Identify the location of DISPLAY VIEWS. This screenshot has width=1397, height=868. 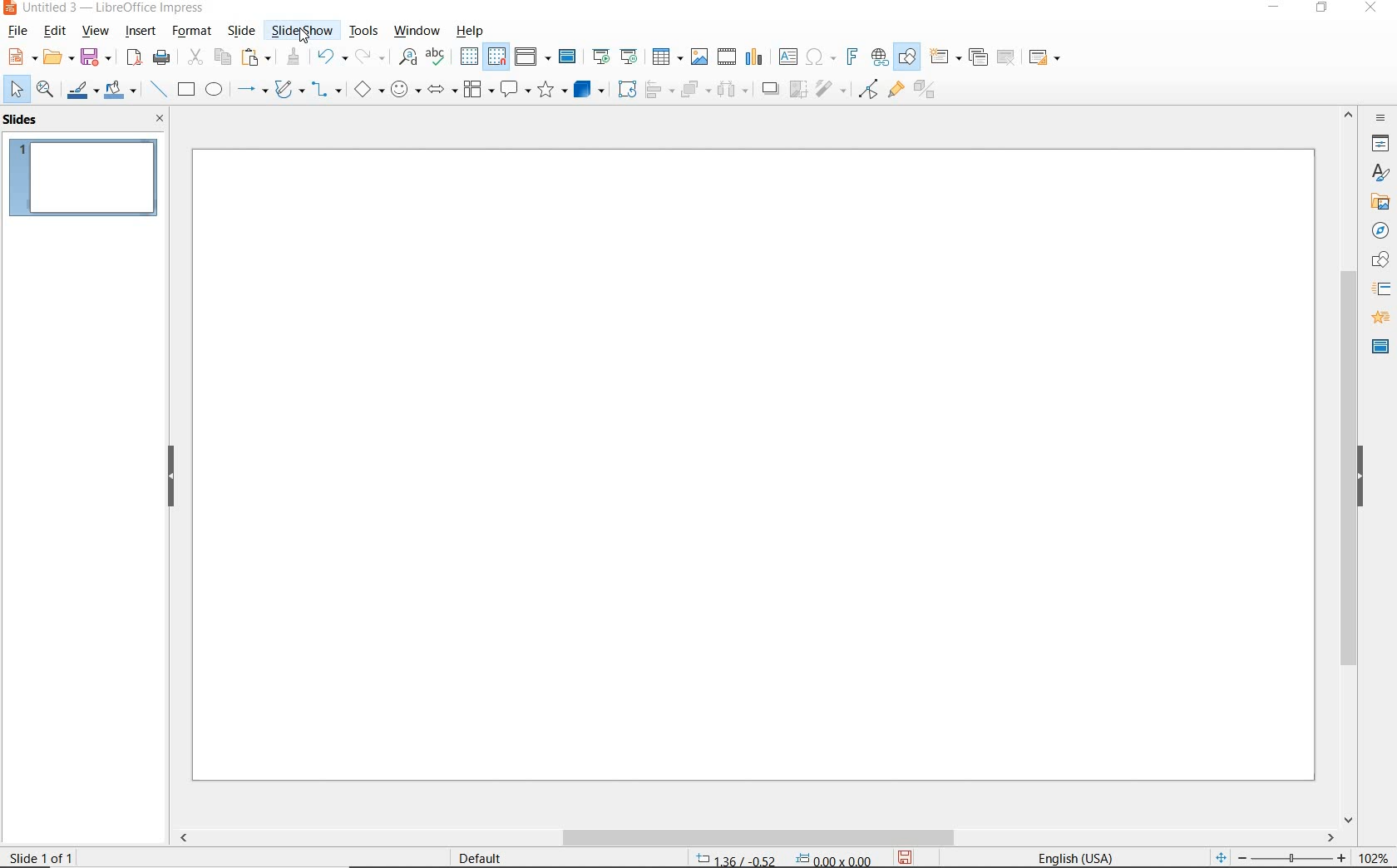
(533, 57).